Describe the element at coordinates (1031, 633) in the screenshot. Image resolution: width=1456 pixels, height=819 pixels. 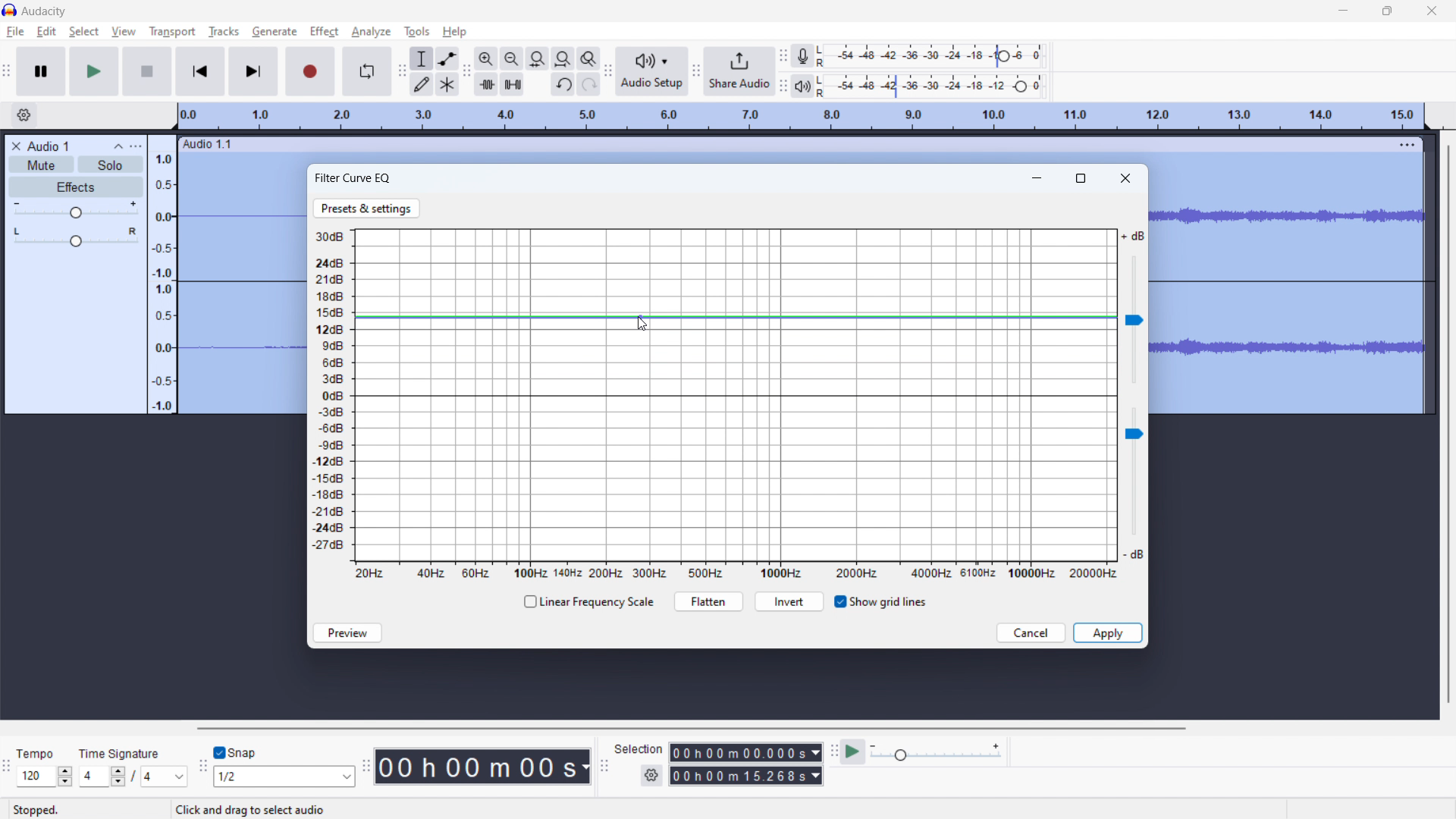
I see `cancel` at that location.